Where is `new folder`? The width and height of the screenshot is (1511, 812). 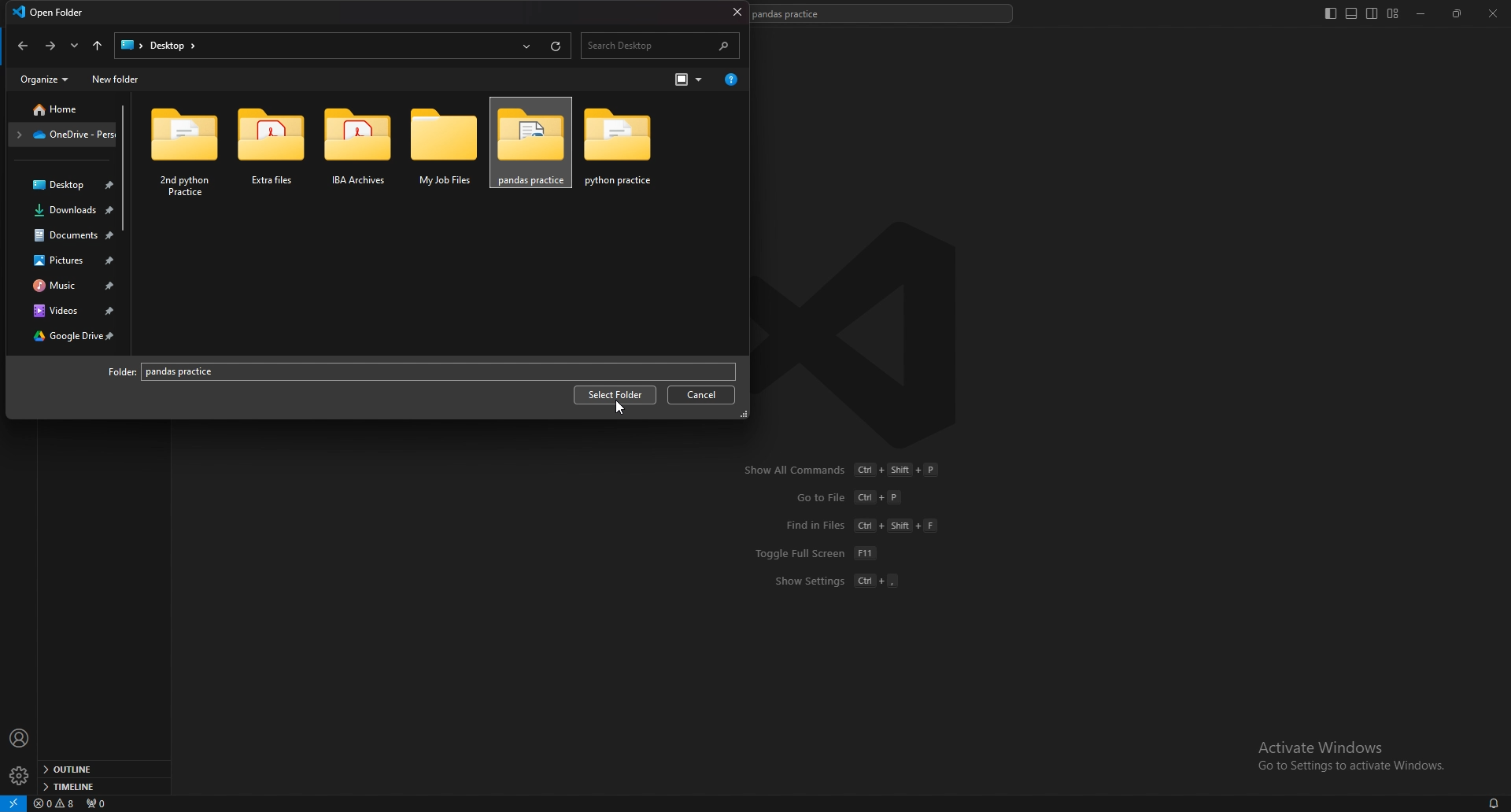
new folder is located at coordinates (118, 78).